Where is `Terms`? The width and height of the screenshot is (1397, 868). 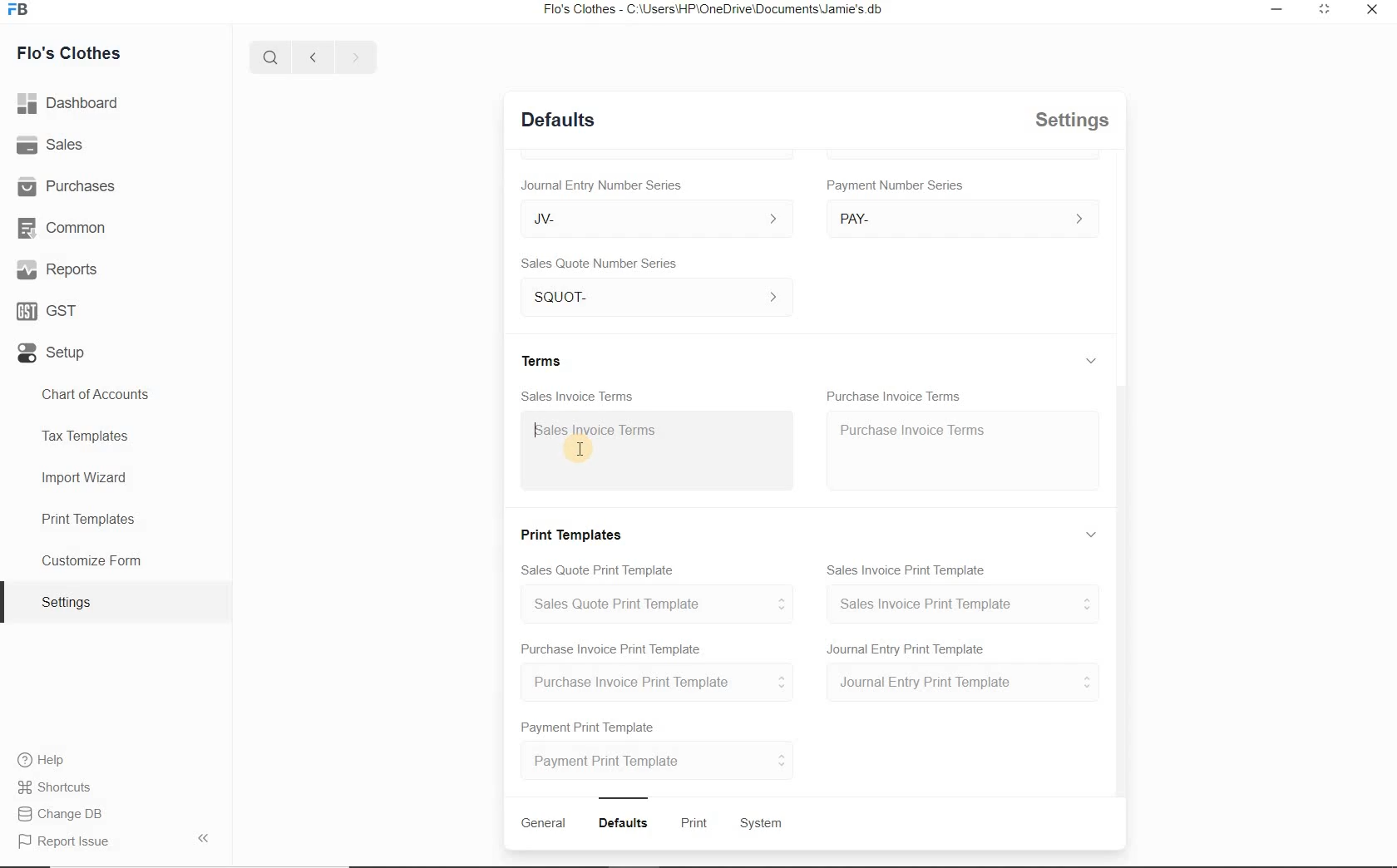 Terms is located at coordinates (545, 359).